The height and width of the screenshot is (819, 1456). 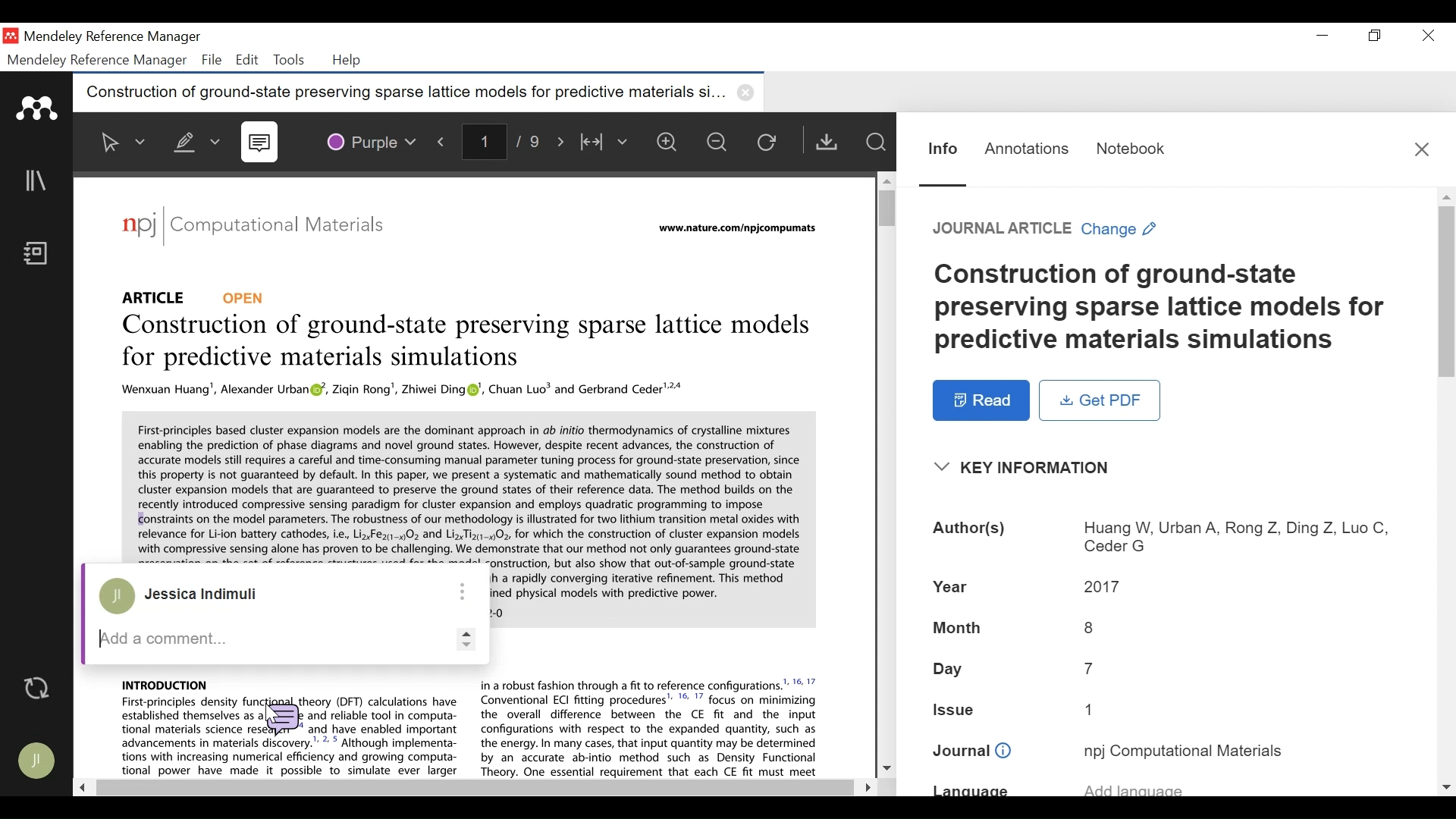 What do you see at coordinates (1447, 293) in the screenshot?
I see `Vertical Scroll bar` at bounding box center [1447, 293].